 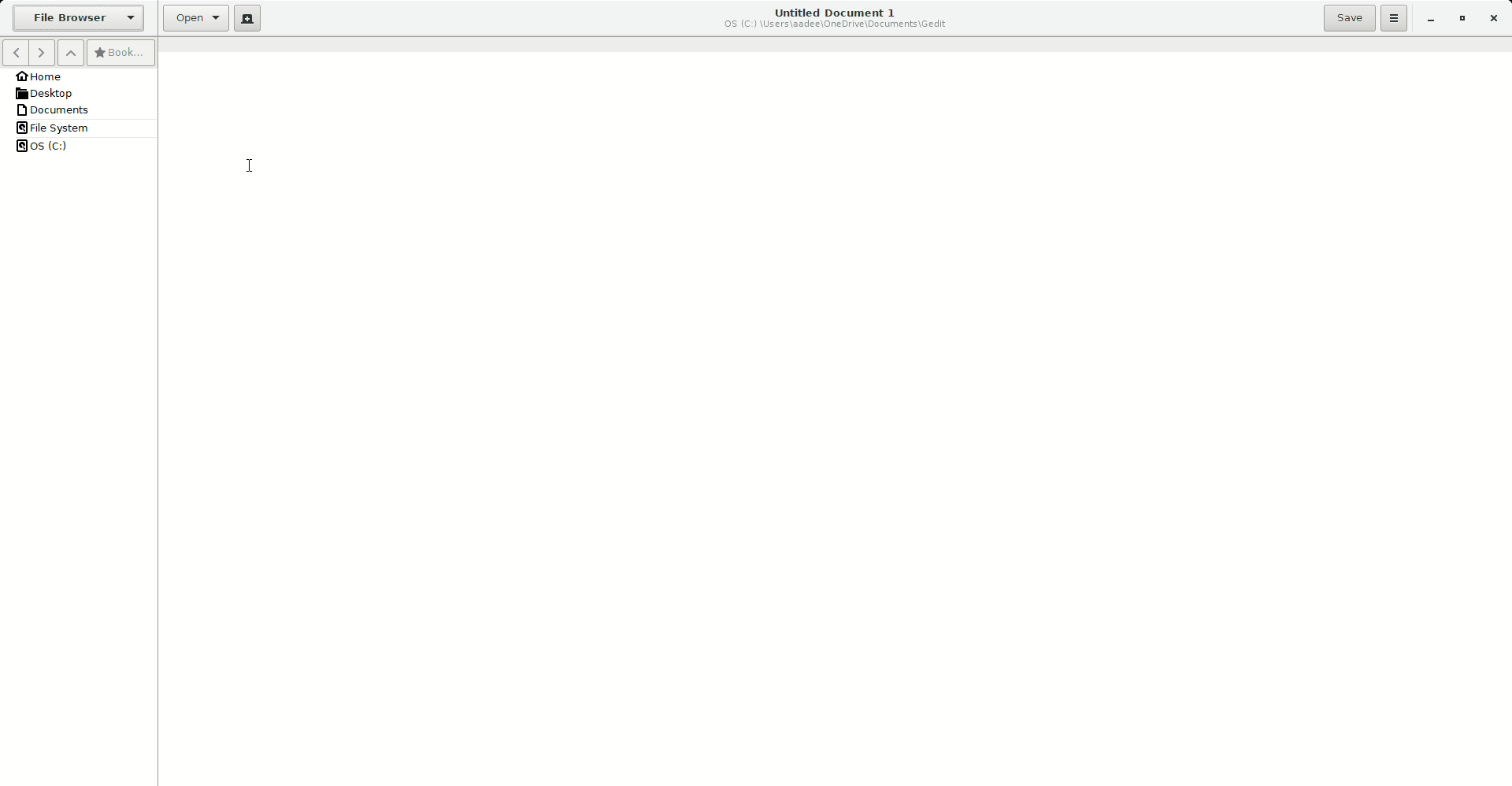 I want to click on Options, so click(x=1393, y=19).